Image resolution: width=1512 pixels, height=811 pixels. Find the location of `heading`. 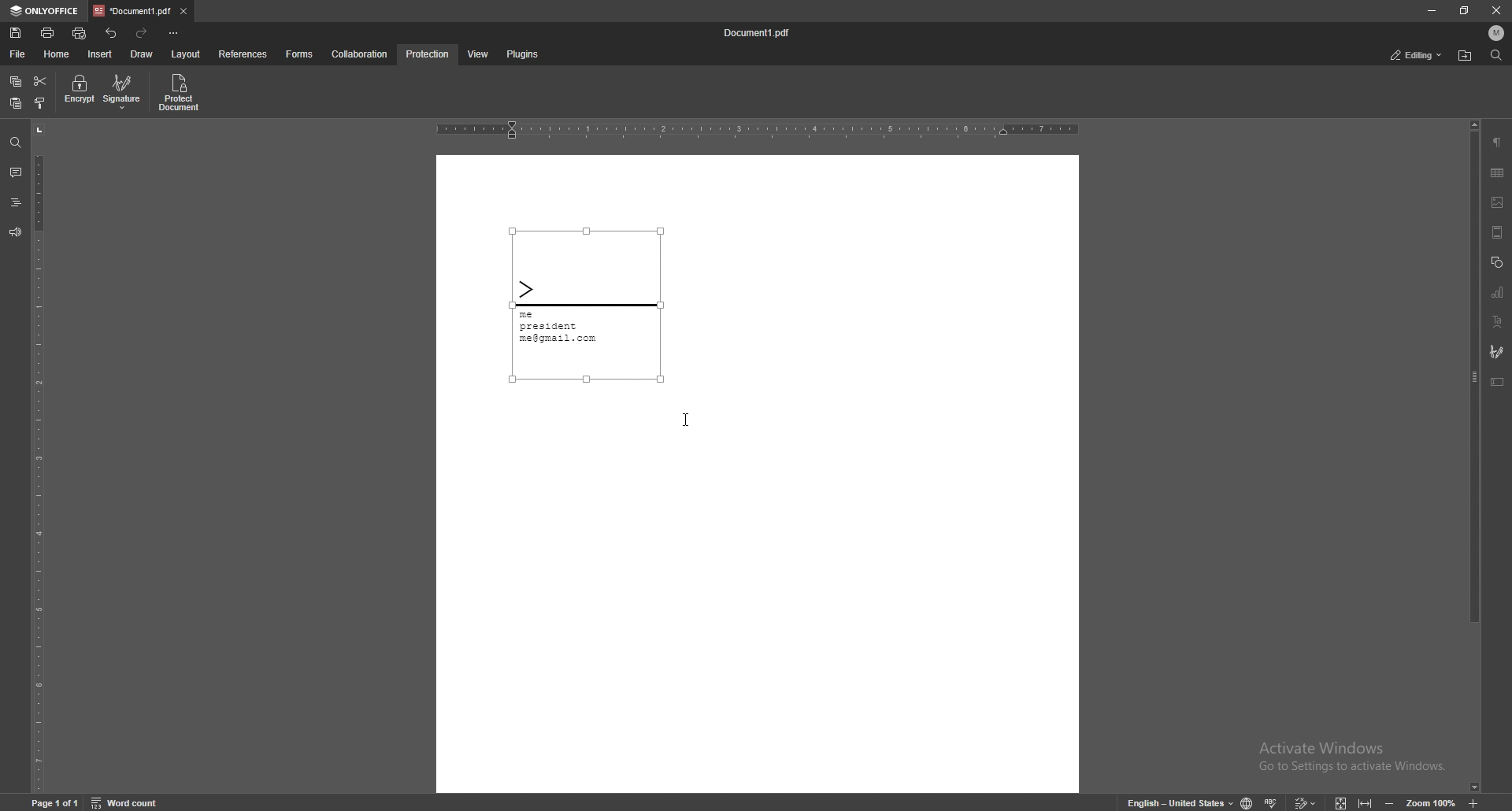

heading is located at coordinates (15, 204).